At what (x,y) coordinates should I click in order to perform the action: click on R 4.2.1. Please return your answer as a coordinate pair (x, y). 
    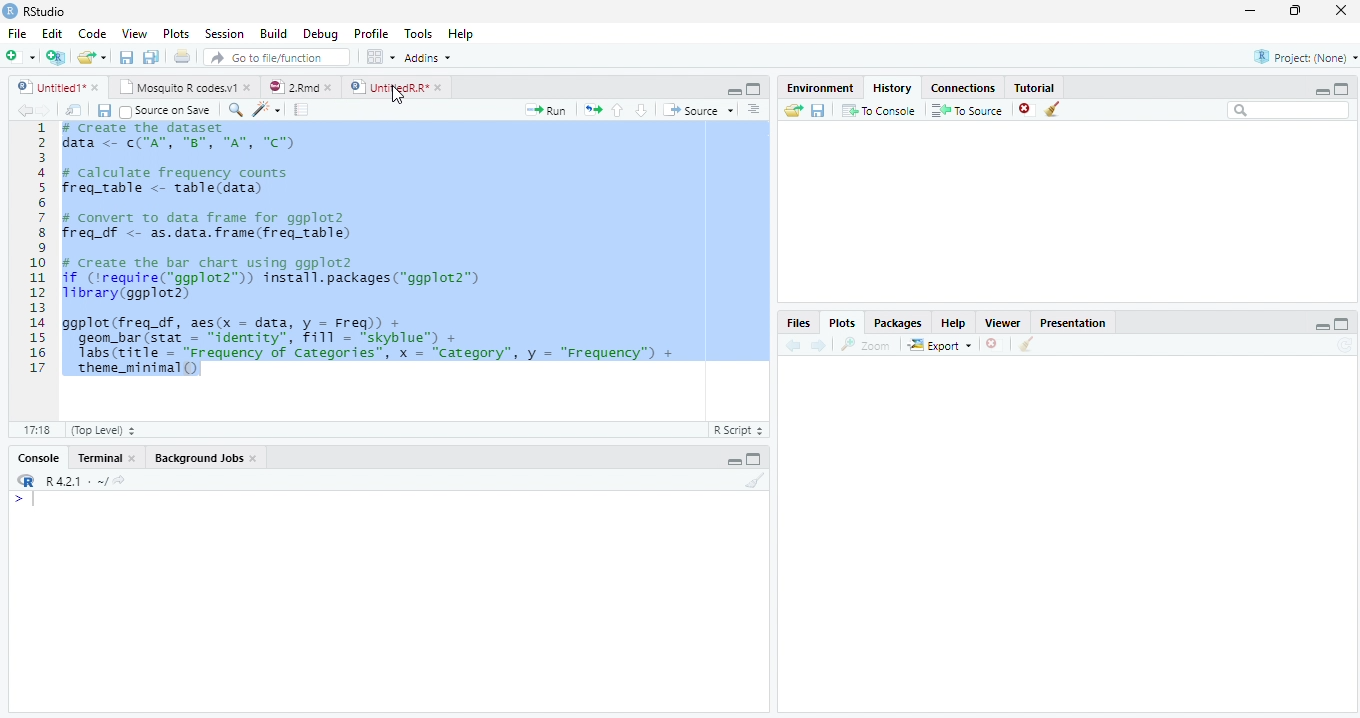
    Looking at the image, I should click on (70, 482).